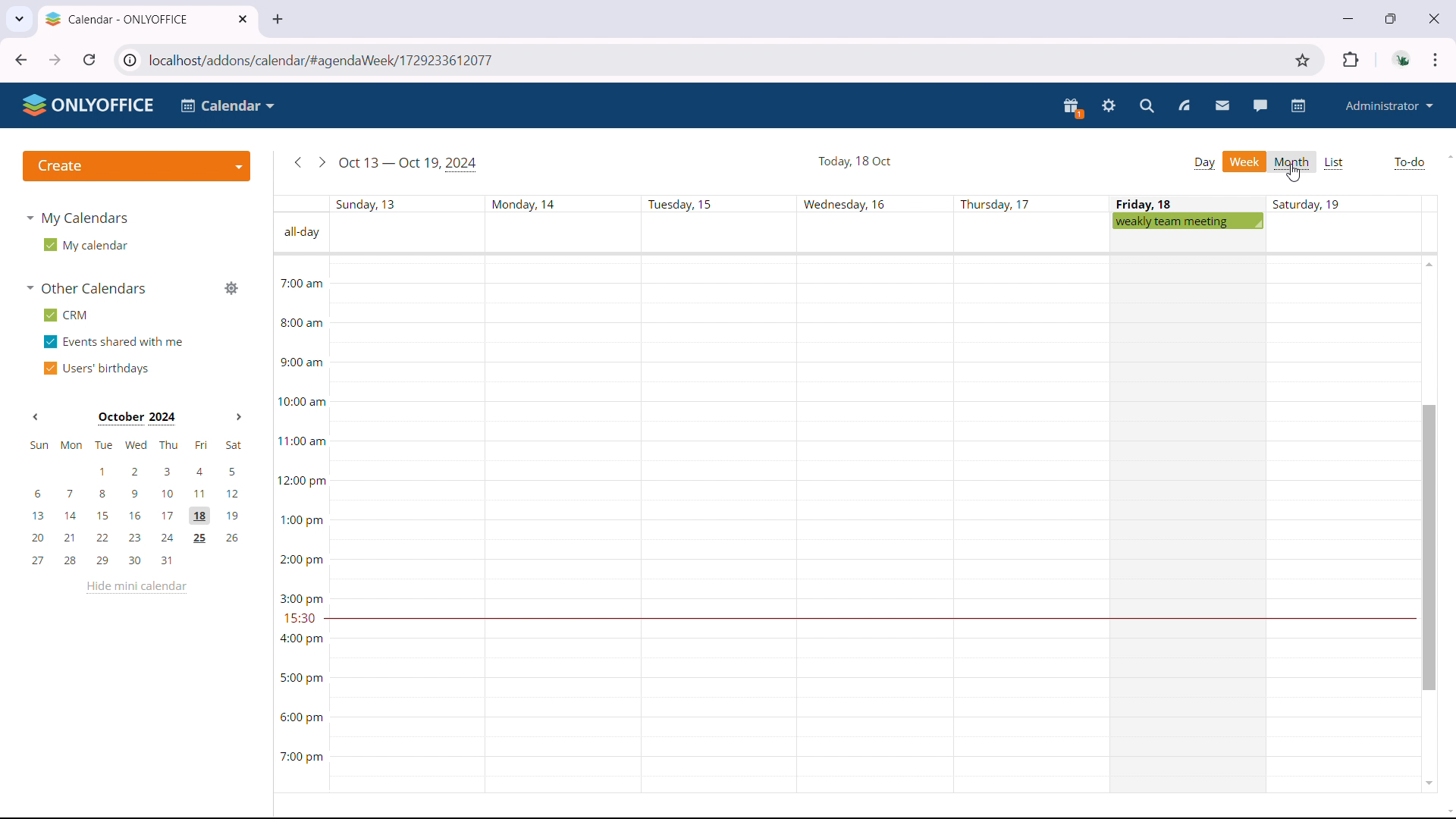 The width and height of the screenshot is (1456, 819). Describe the element at coordinates (1245, 162) in the screenshot. I see `week view ` at that location.